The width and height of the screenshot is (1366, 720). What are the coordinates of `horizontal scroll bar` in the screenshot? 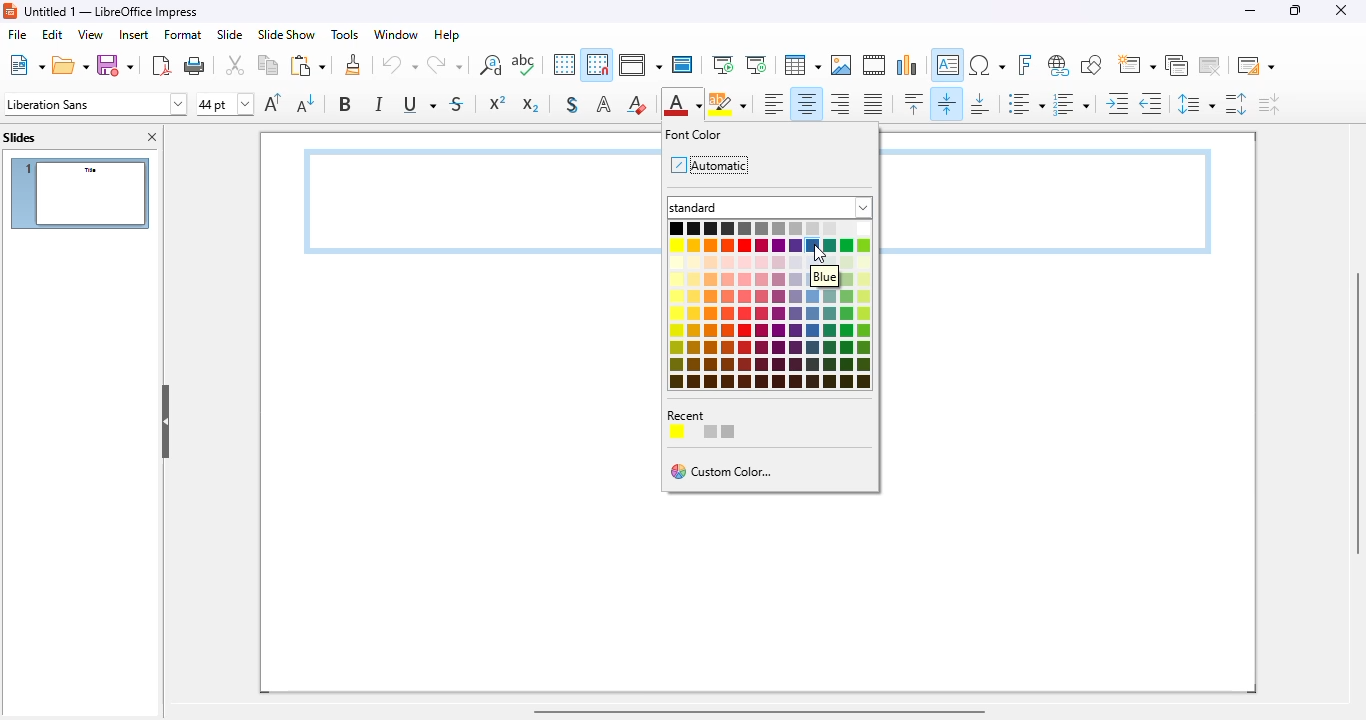 It's located at (759, 711).